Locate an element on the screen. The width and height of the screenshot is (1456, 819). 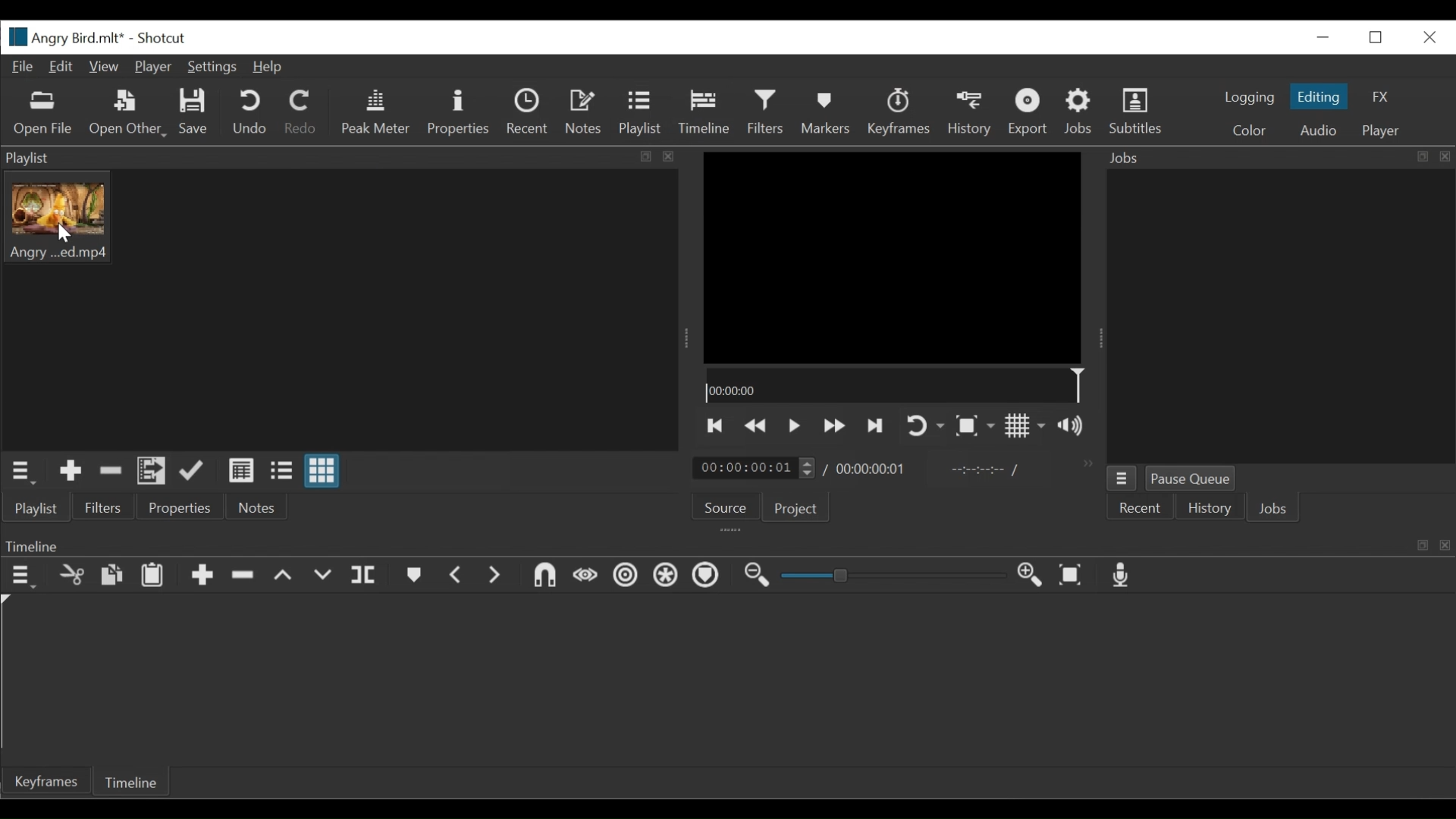
Jobs Panel is located at coordinates (1278, 157).